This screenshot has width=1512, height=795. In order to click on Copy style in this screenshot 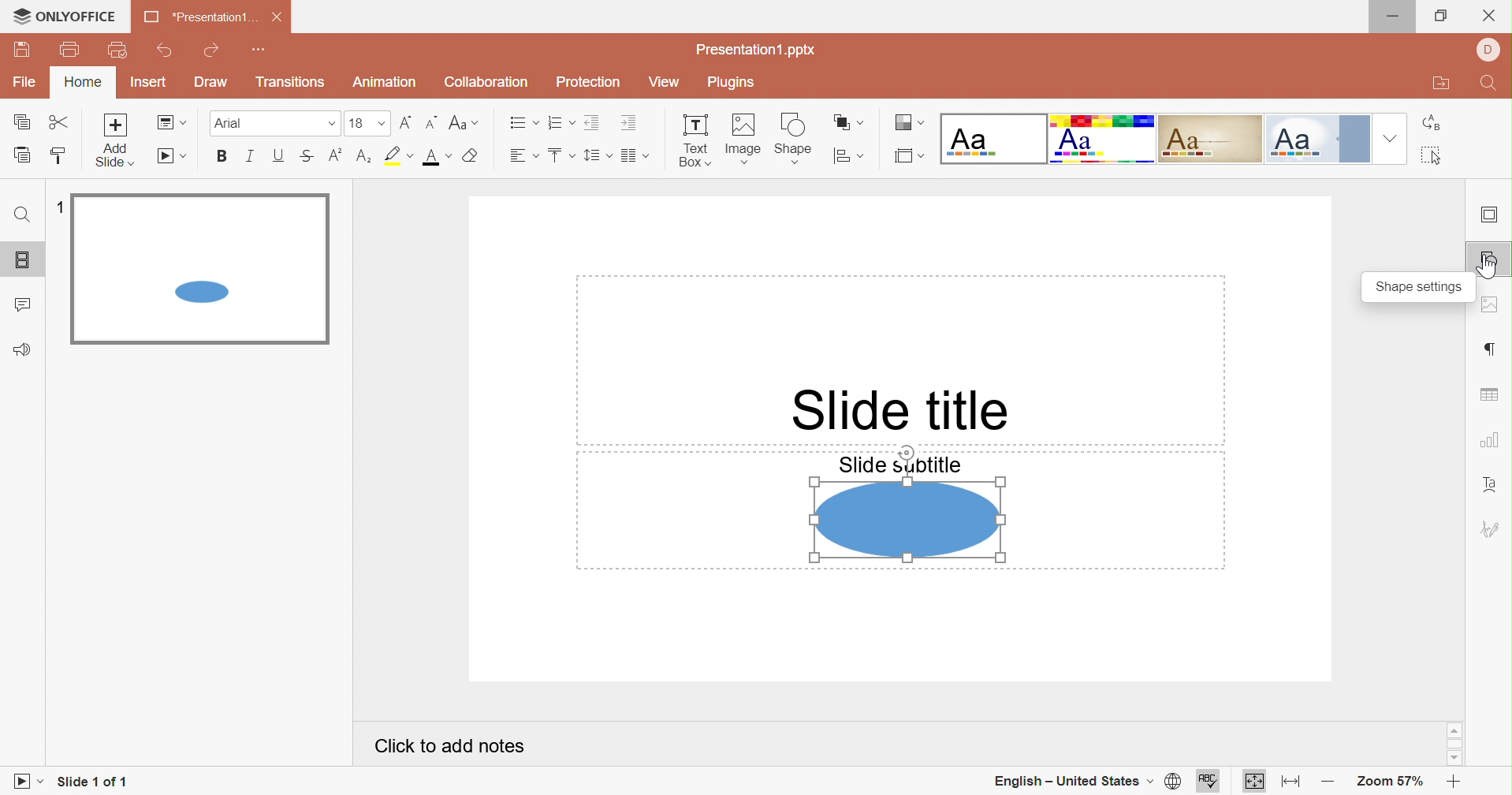, I will do `click(60, 155)`.